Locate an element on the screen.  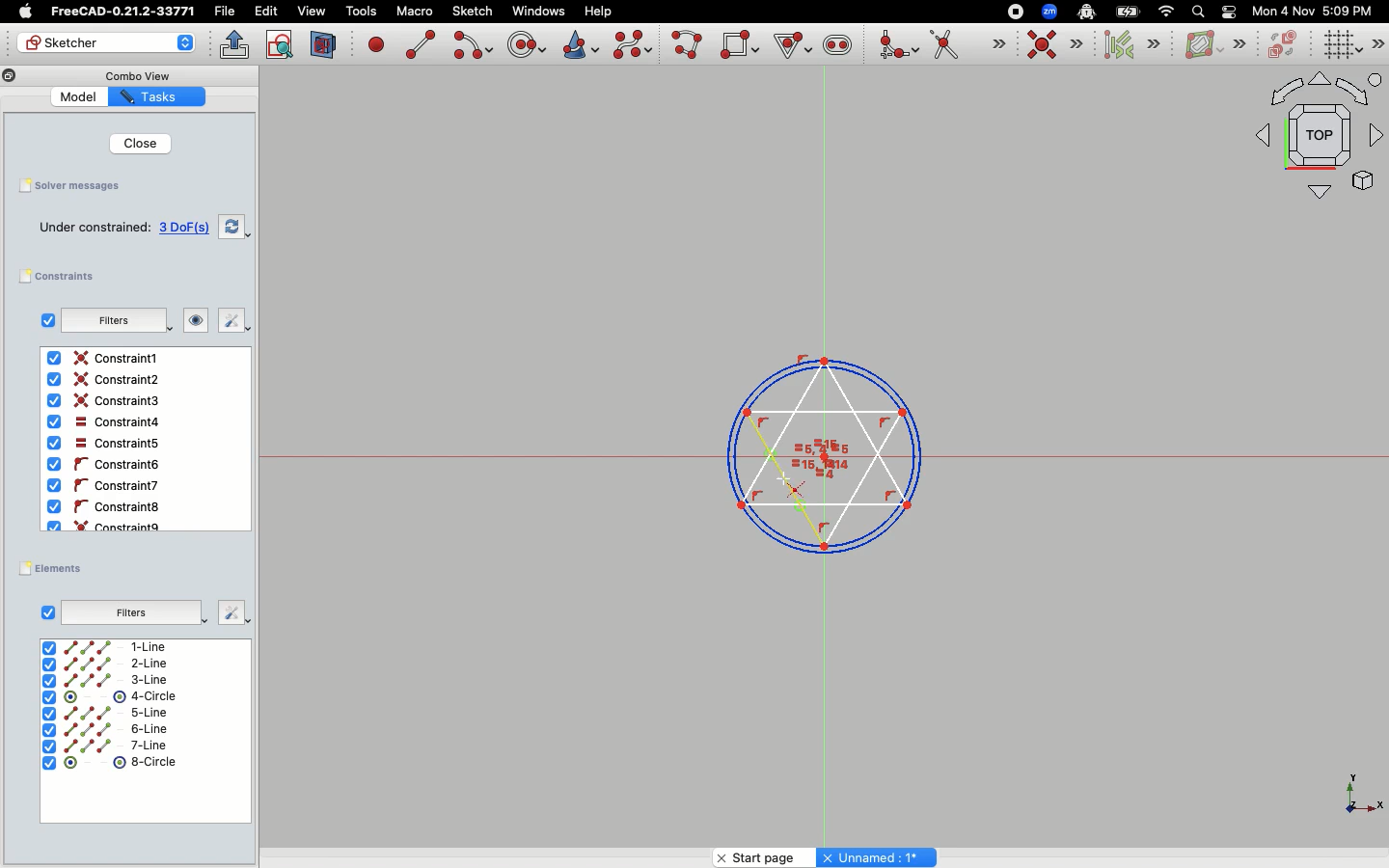
Create arc is located at coordinates (472, 45).